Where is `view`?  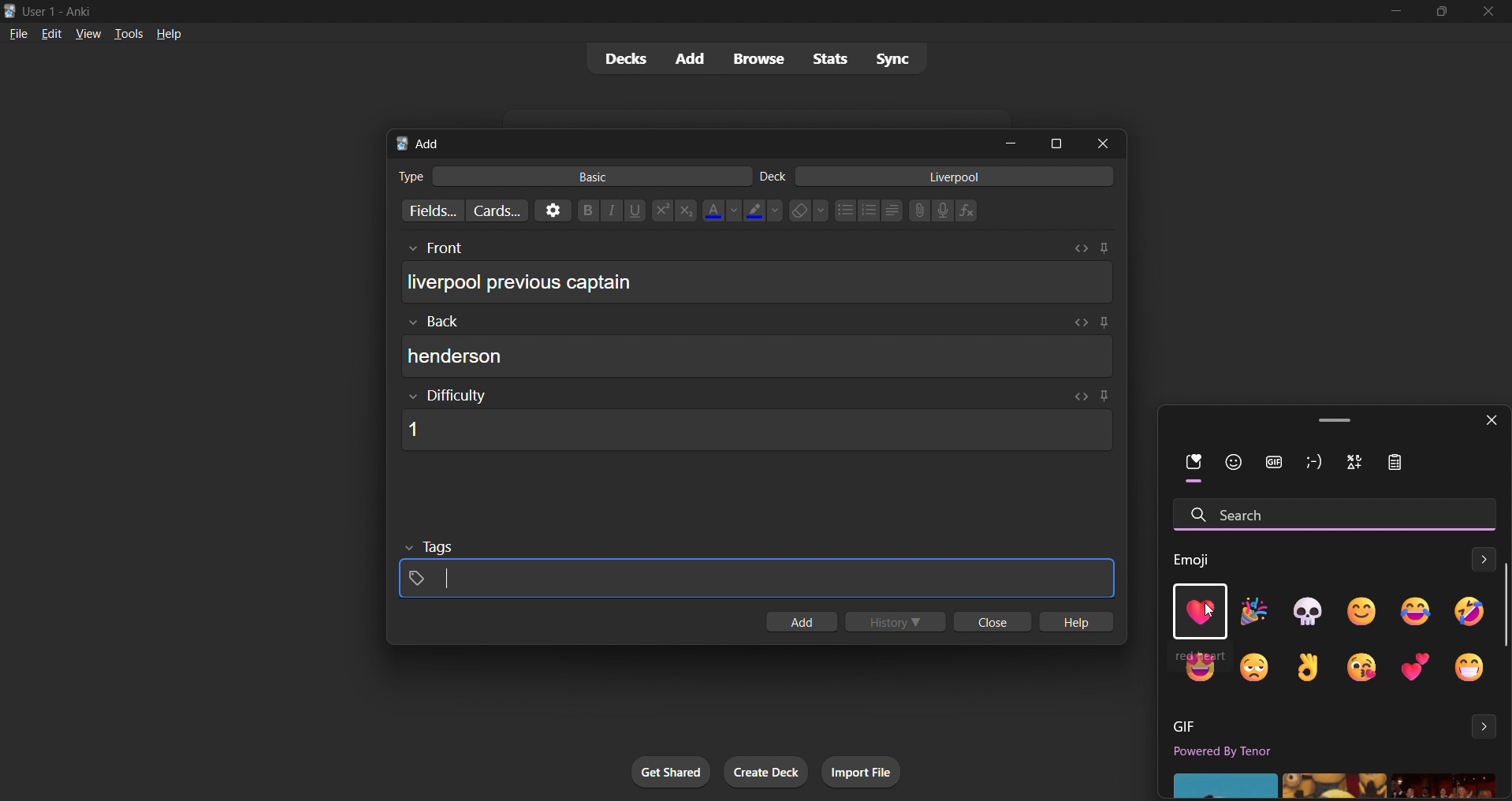 view is located at coordinates (87, 33).